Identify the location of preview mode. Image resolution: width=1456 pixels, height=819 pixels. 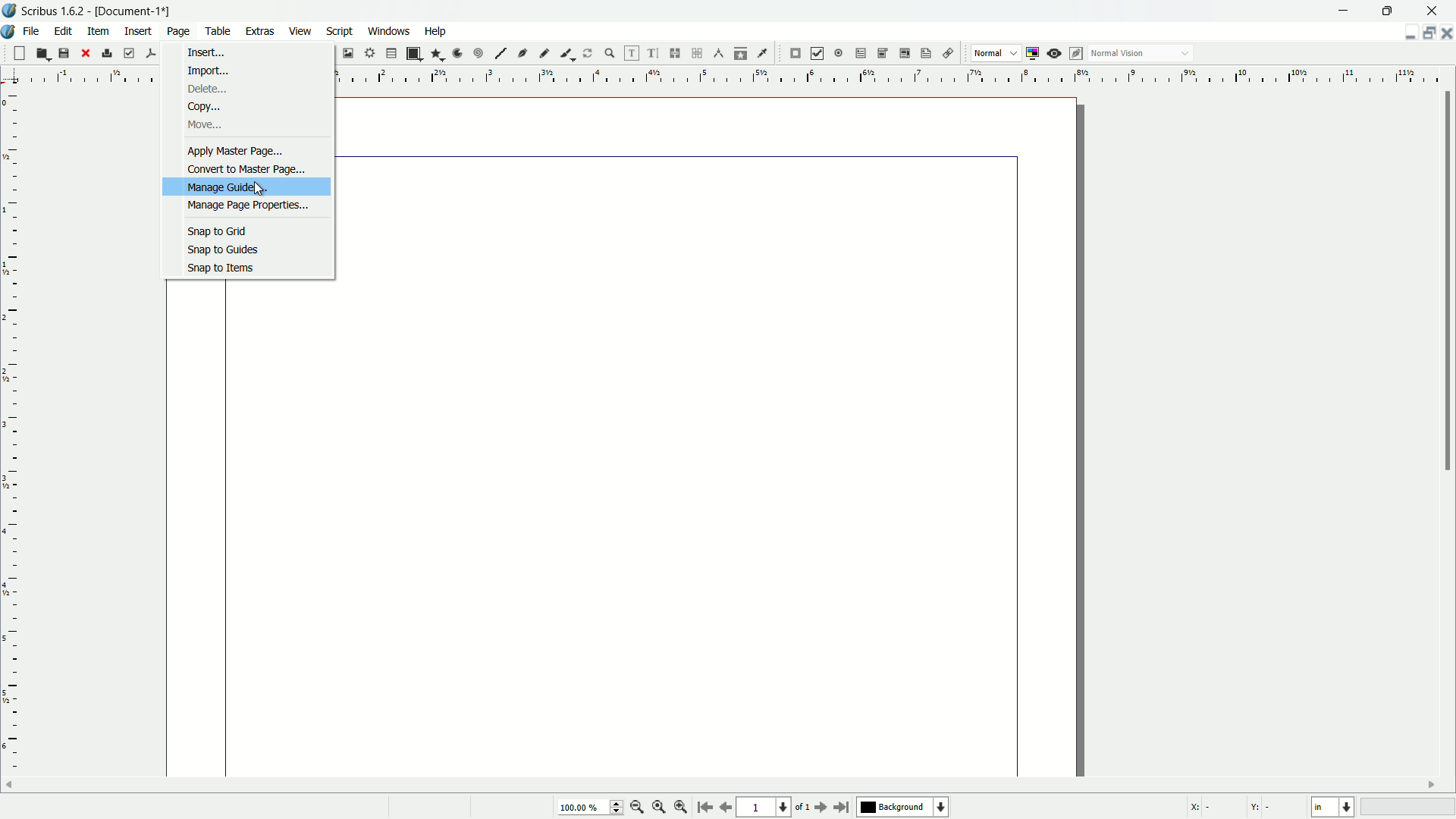
(1056, 53).